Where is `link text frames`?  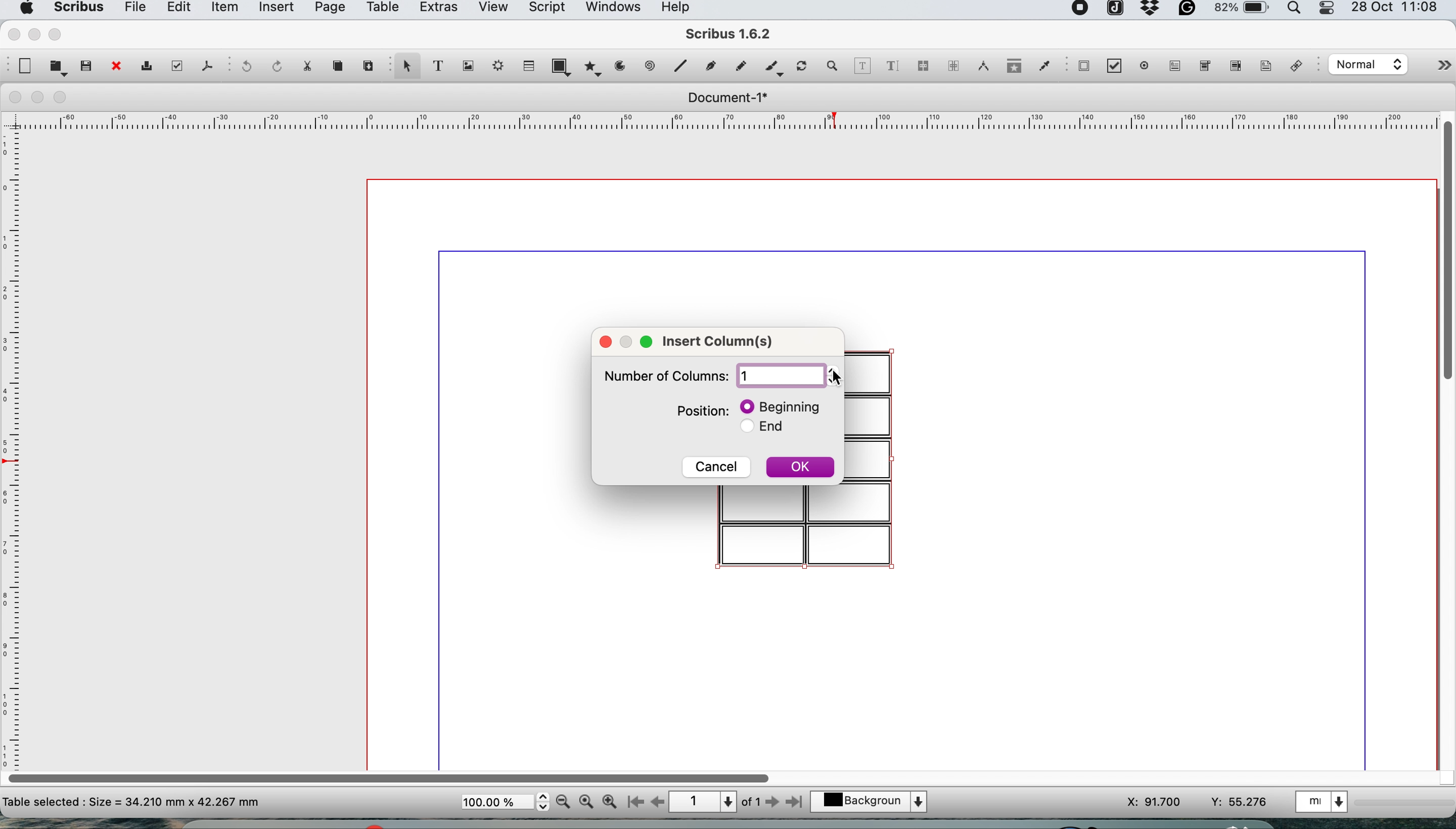
link text frames is located at coordinates (922, 68).